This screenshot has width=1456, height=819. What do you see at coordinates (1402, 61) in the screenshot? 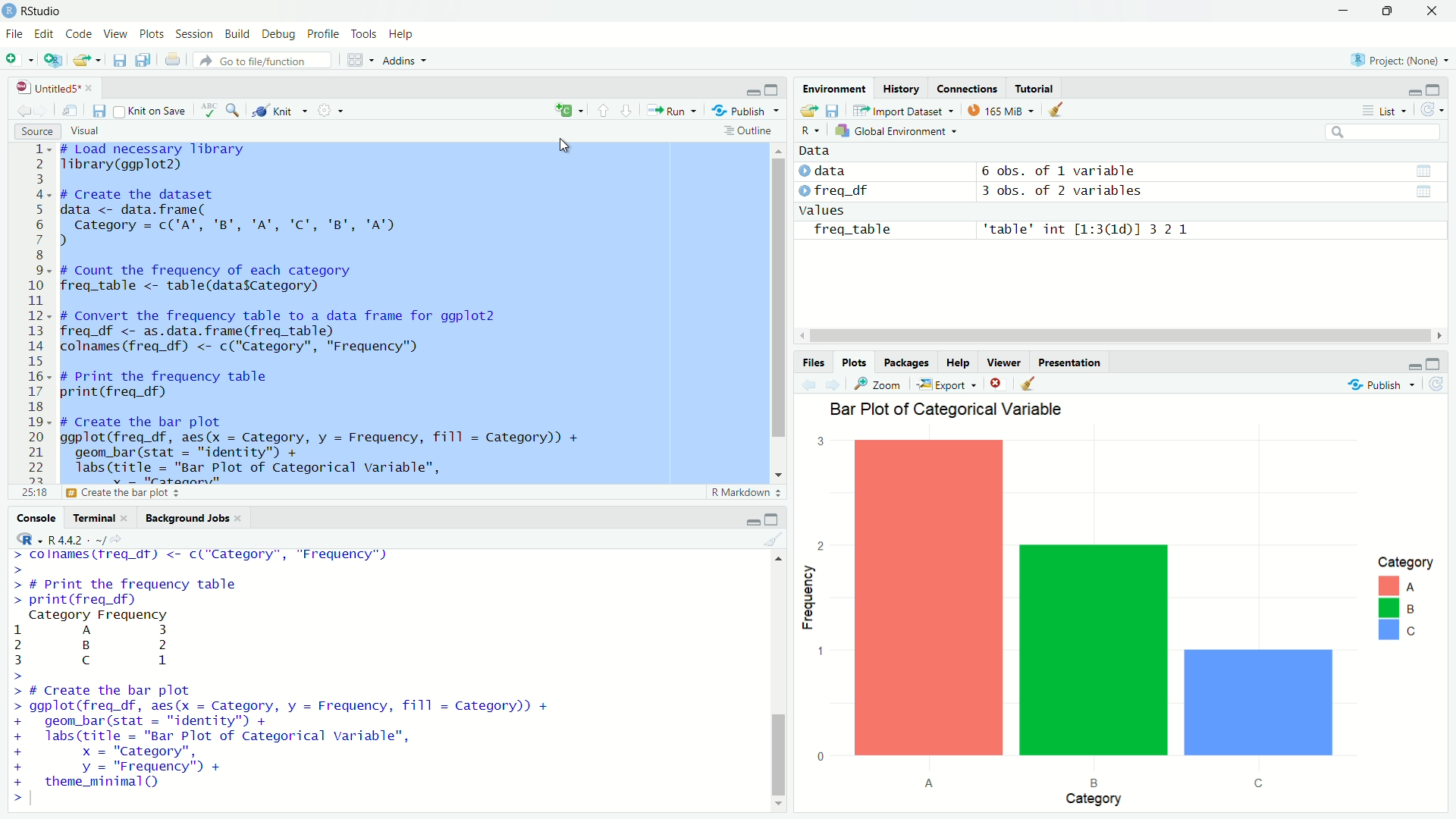
I see `project (none)` at bounding box center [1402, 61].